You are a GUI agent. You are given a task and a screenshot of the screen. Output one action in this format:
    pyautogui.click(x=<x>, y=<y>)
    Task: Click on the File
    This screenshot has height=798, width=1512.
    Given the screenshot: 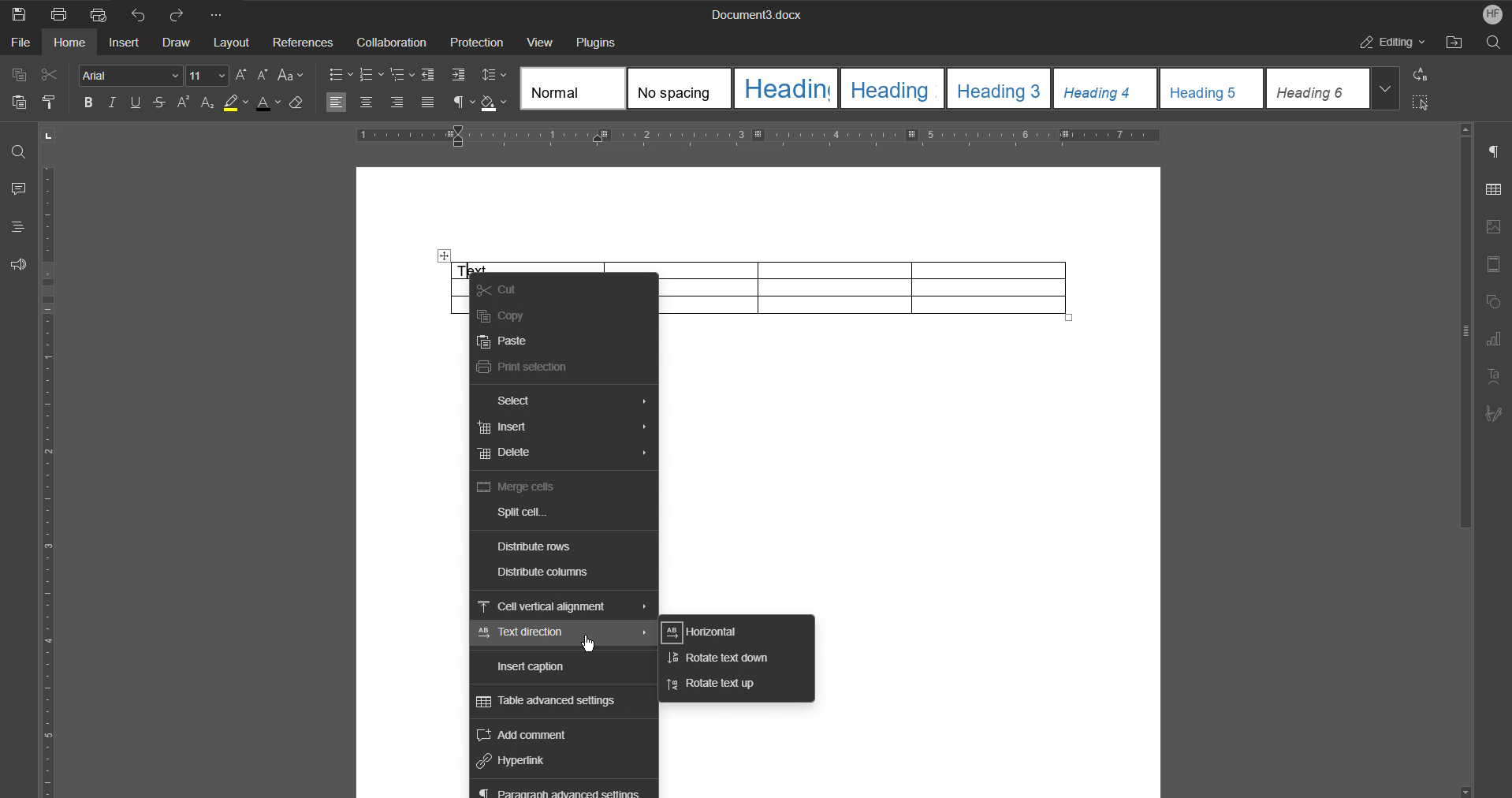 What is the action you would take?
    pyautogui.click(x=20, y=43)
    